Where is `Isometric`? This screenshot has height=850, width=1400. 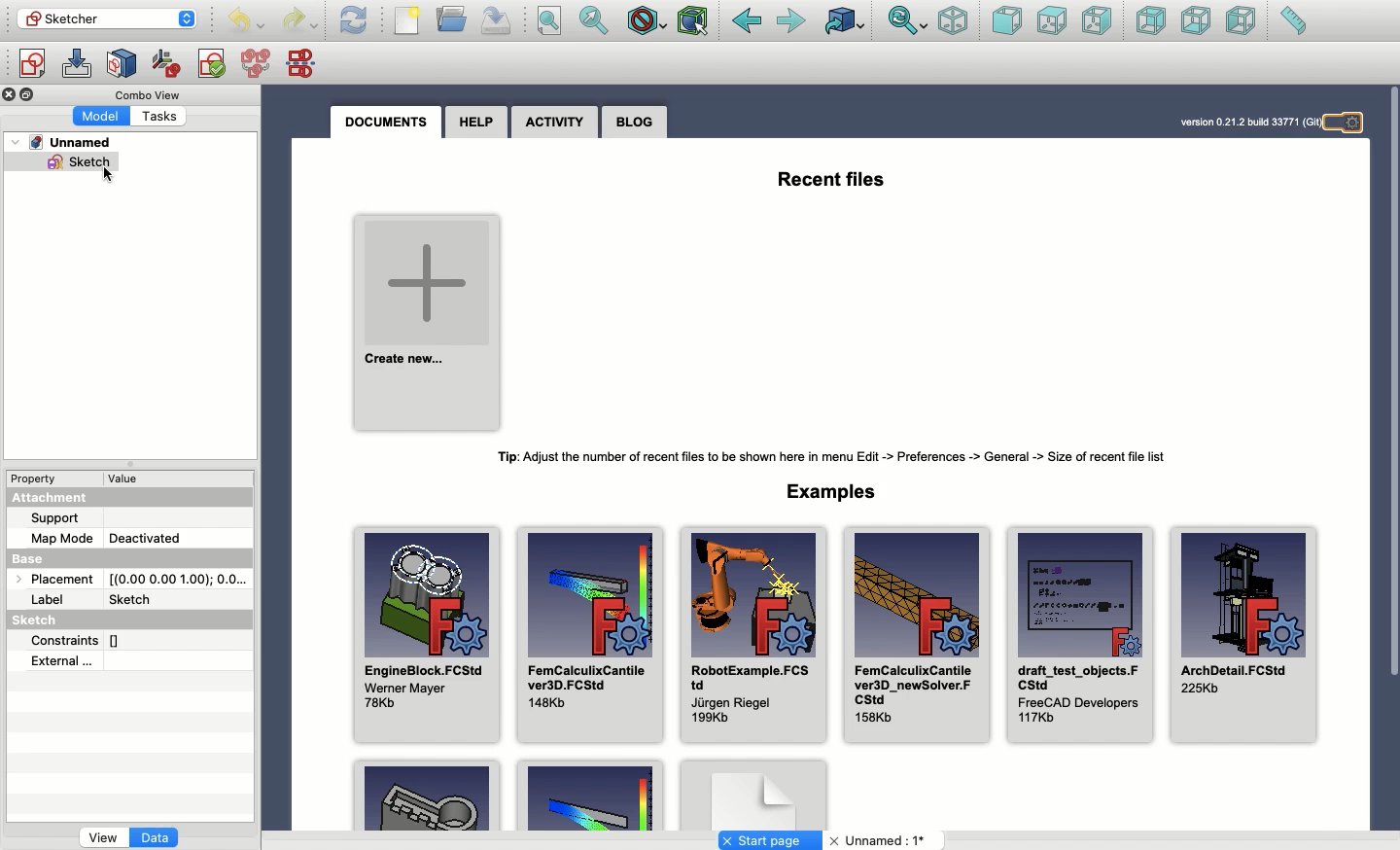
Isometric is located at coordinates (954, 20).